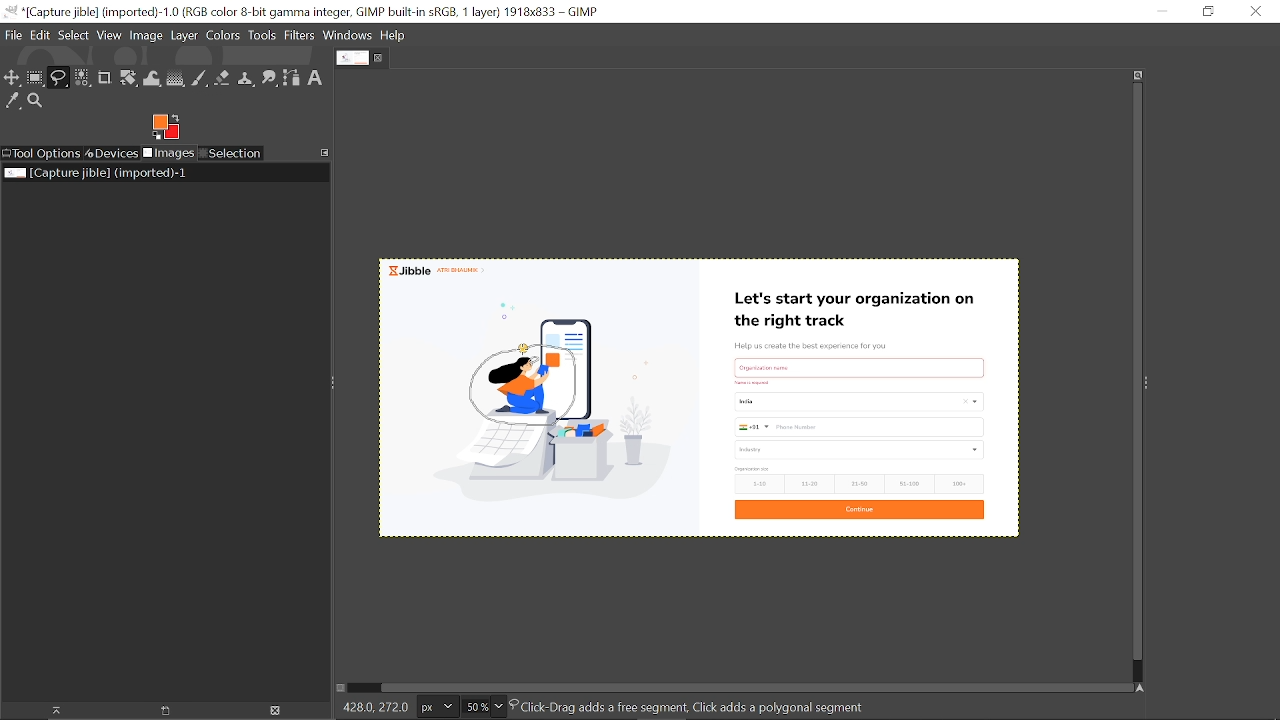 This screenshot has height=720, width=1280. I want to click on Navigate this window, so click(1144, 689).